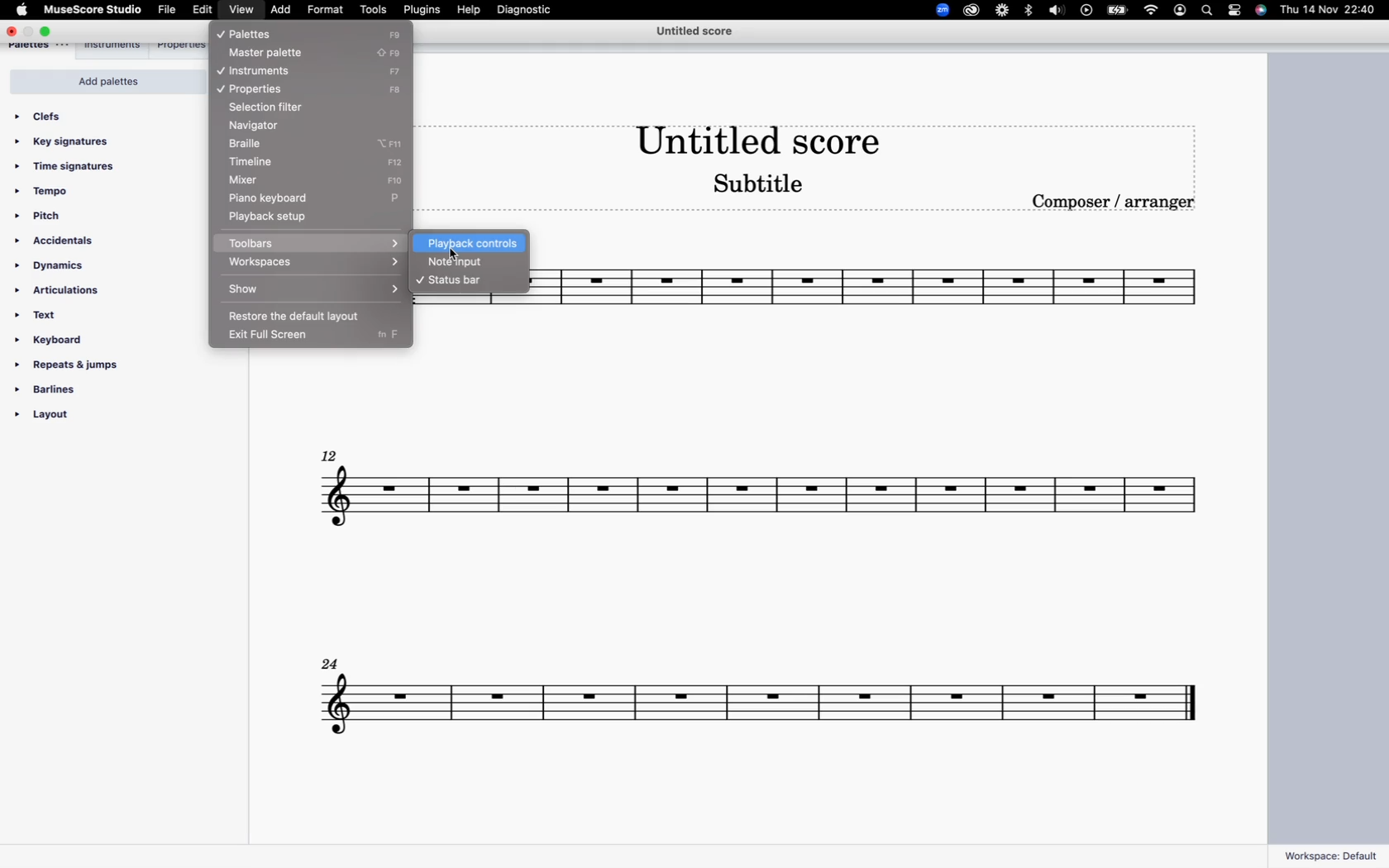  Describe the element at coordinates (1118, 12) in the screenshot. I see `battery` at that location.